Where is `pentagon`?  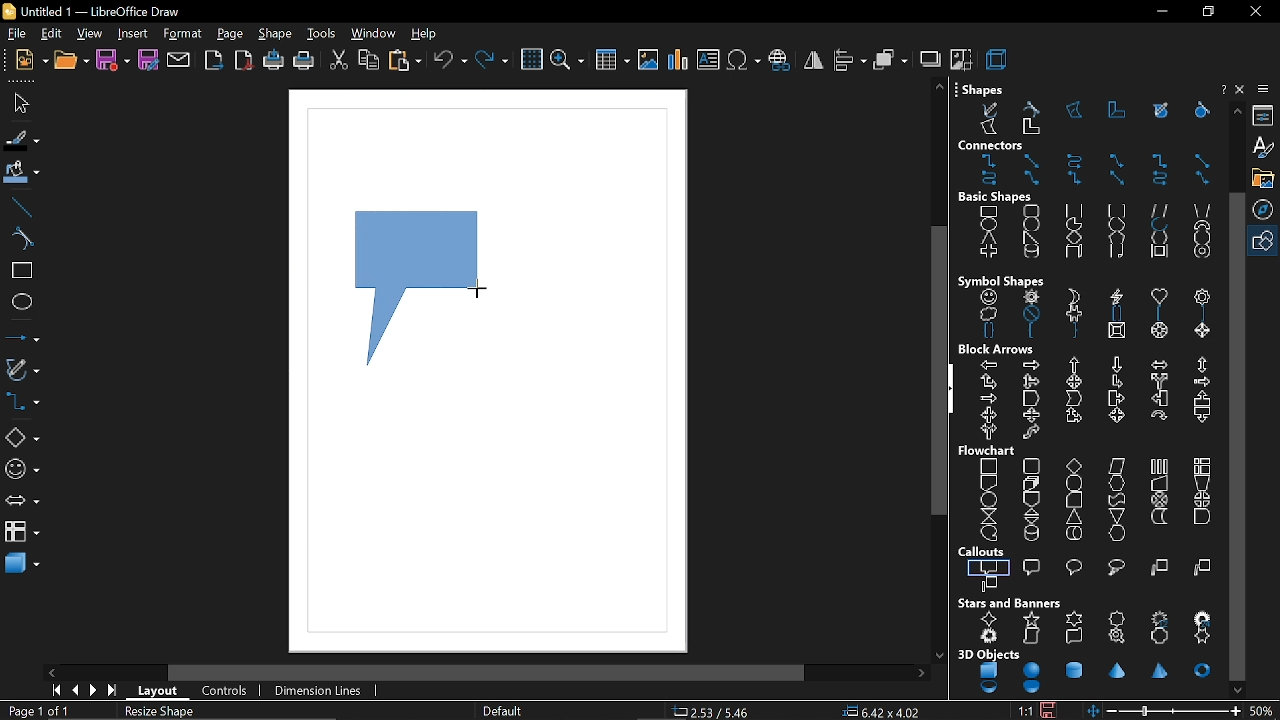 pentagon is located at coordinates (1116, 238).